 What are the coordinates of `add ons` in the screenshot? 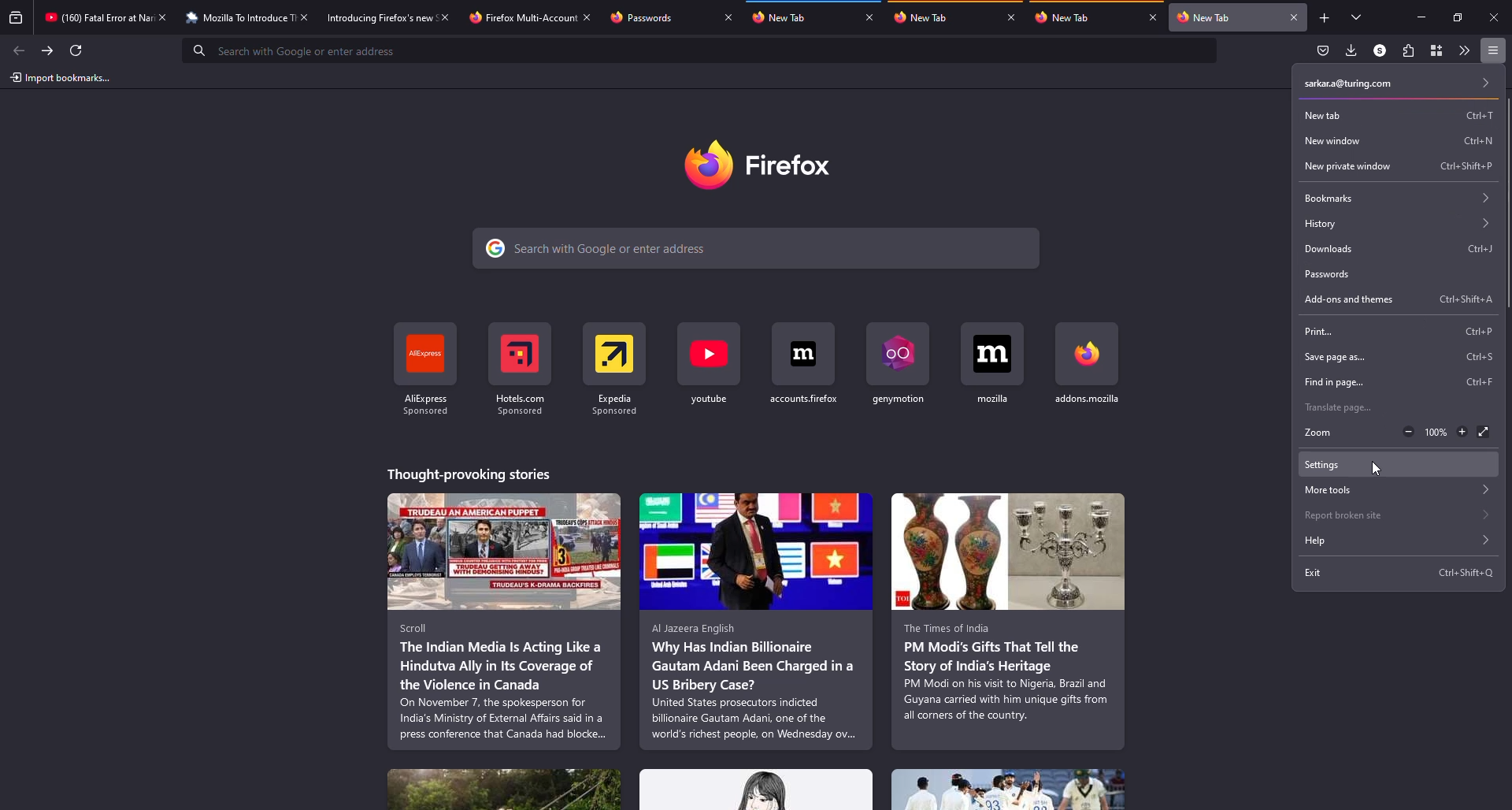 It's located at (1399, 300).